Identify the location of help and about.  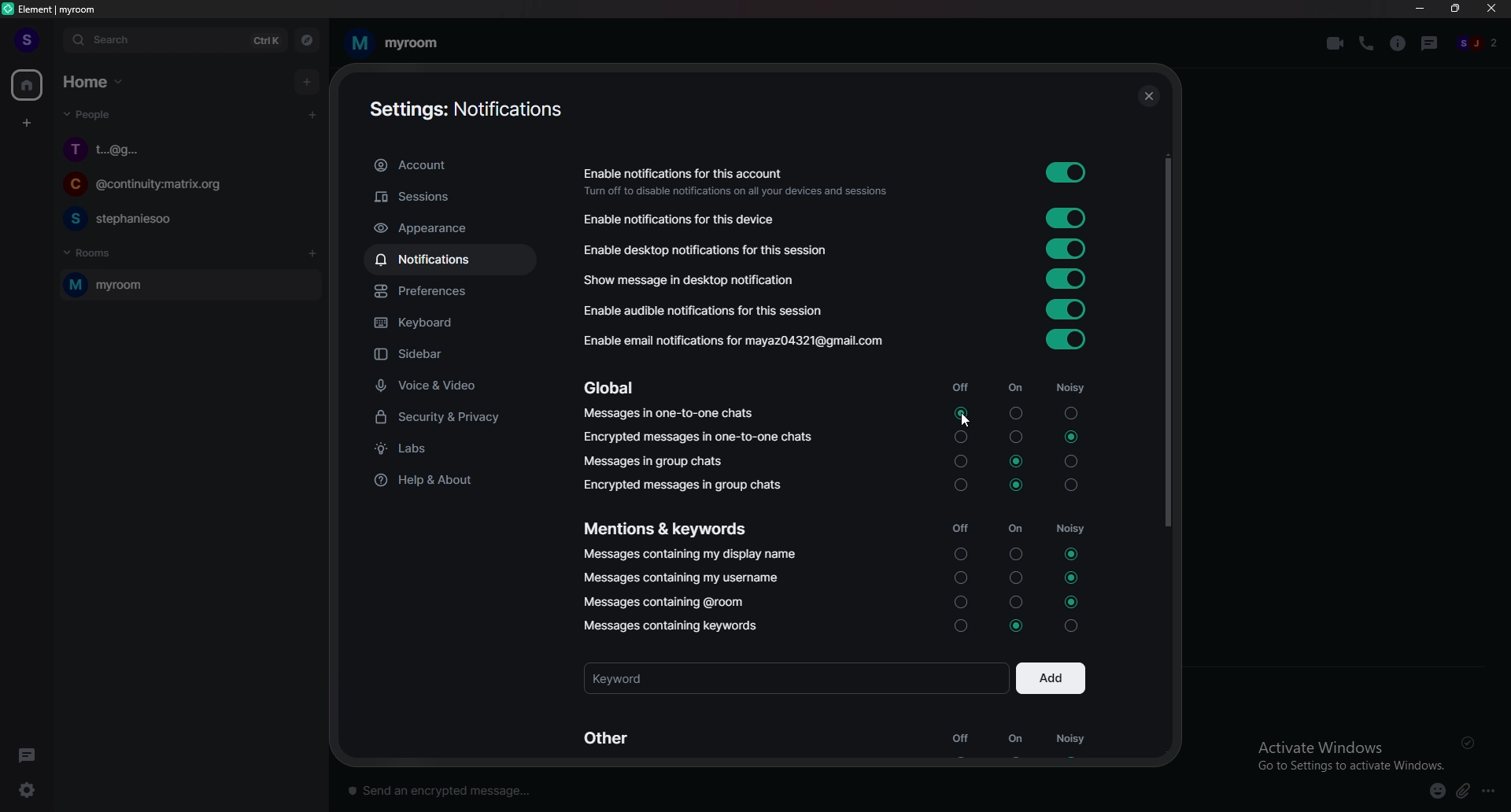
(449, 478).